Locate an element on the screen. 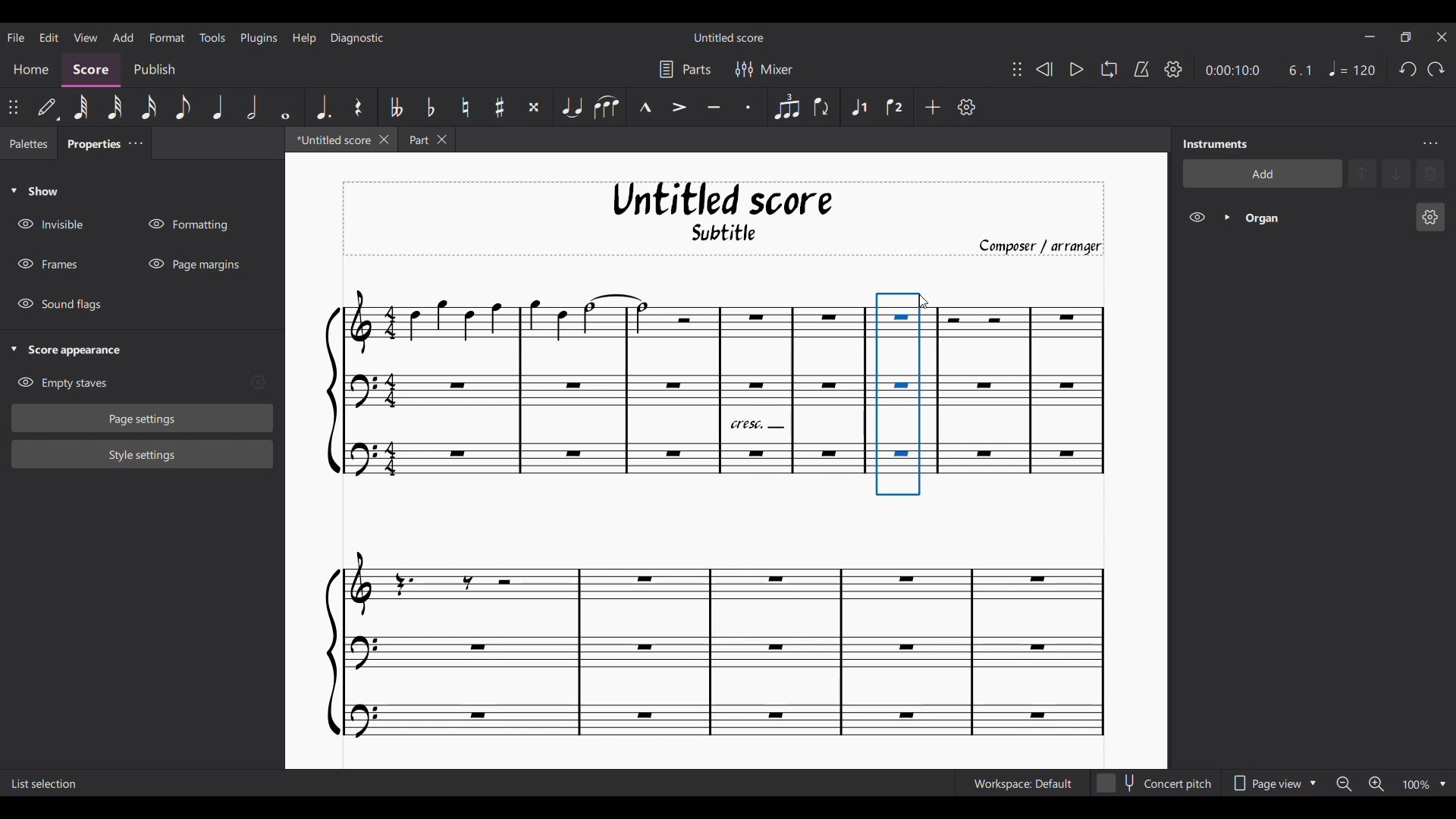 The width and height of the screenshot is (1456, 819). Default is located at coordinates (48, 107).